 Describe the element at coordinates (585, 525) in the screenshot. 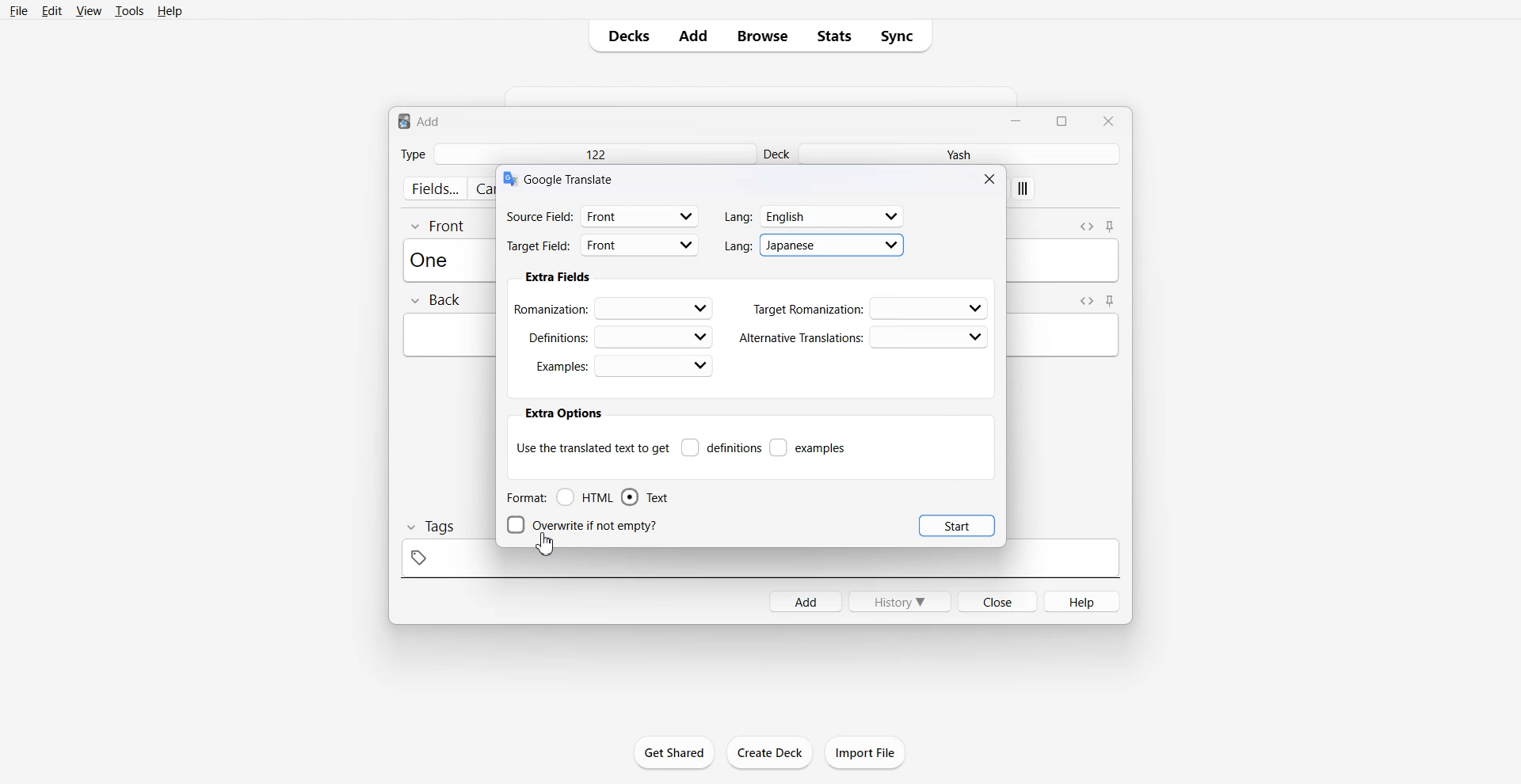

I see `Overwrite if not empty` at that location.